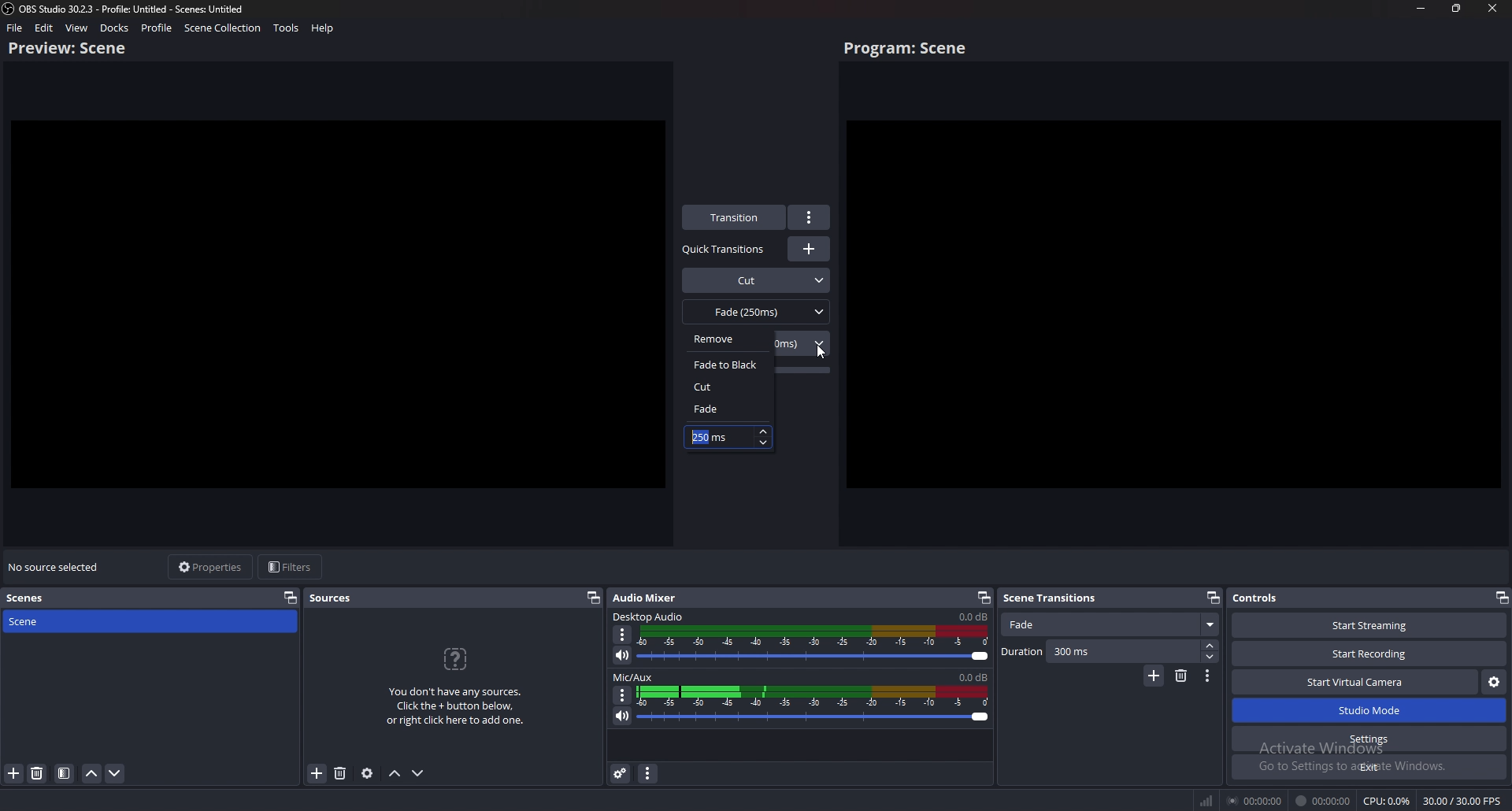  I want to click on minimize, so click(1422, 8).